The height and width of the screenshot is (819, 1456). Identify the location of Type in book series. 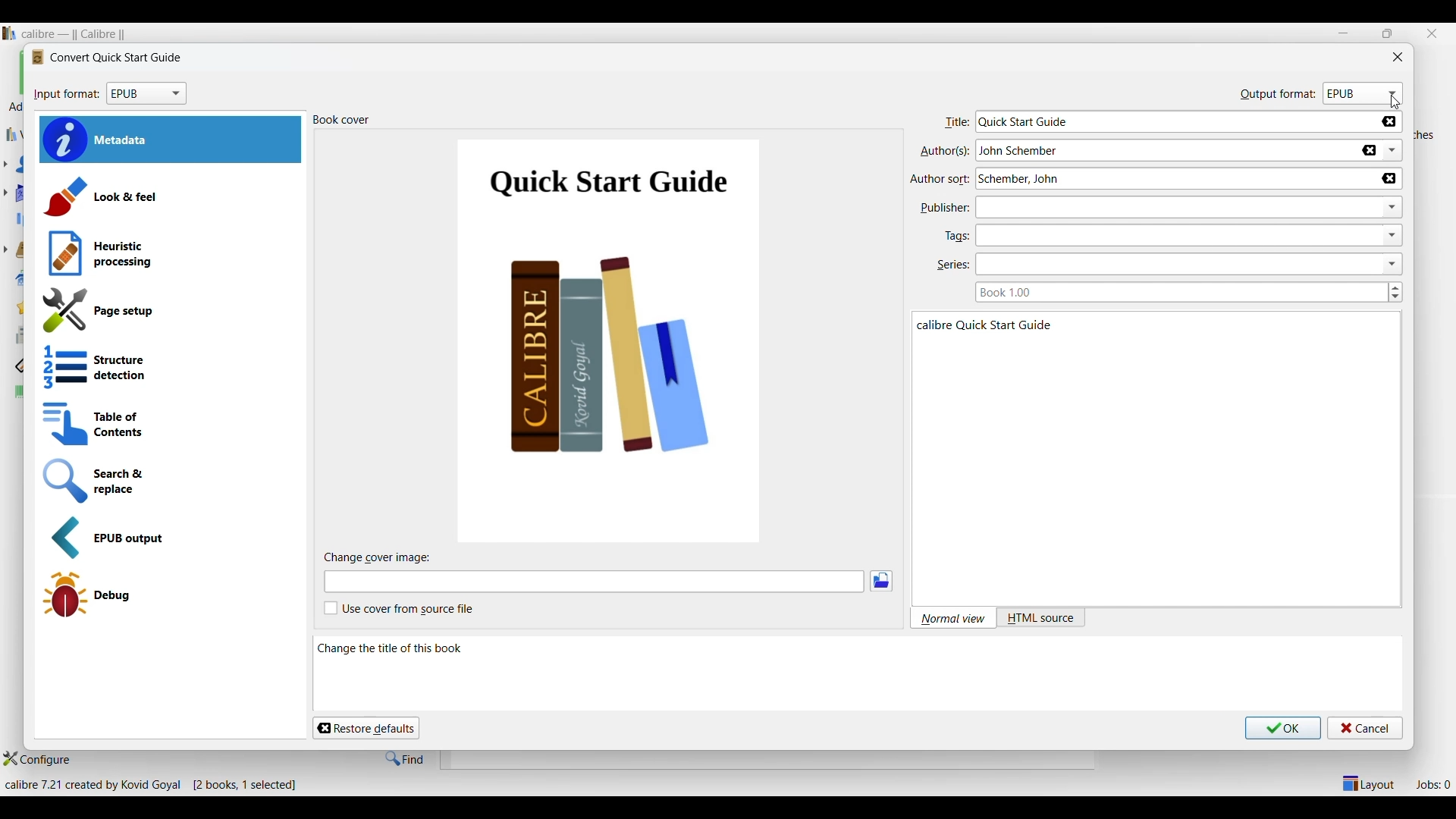
(1180, 292).